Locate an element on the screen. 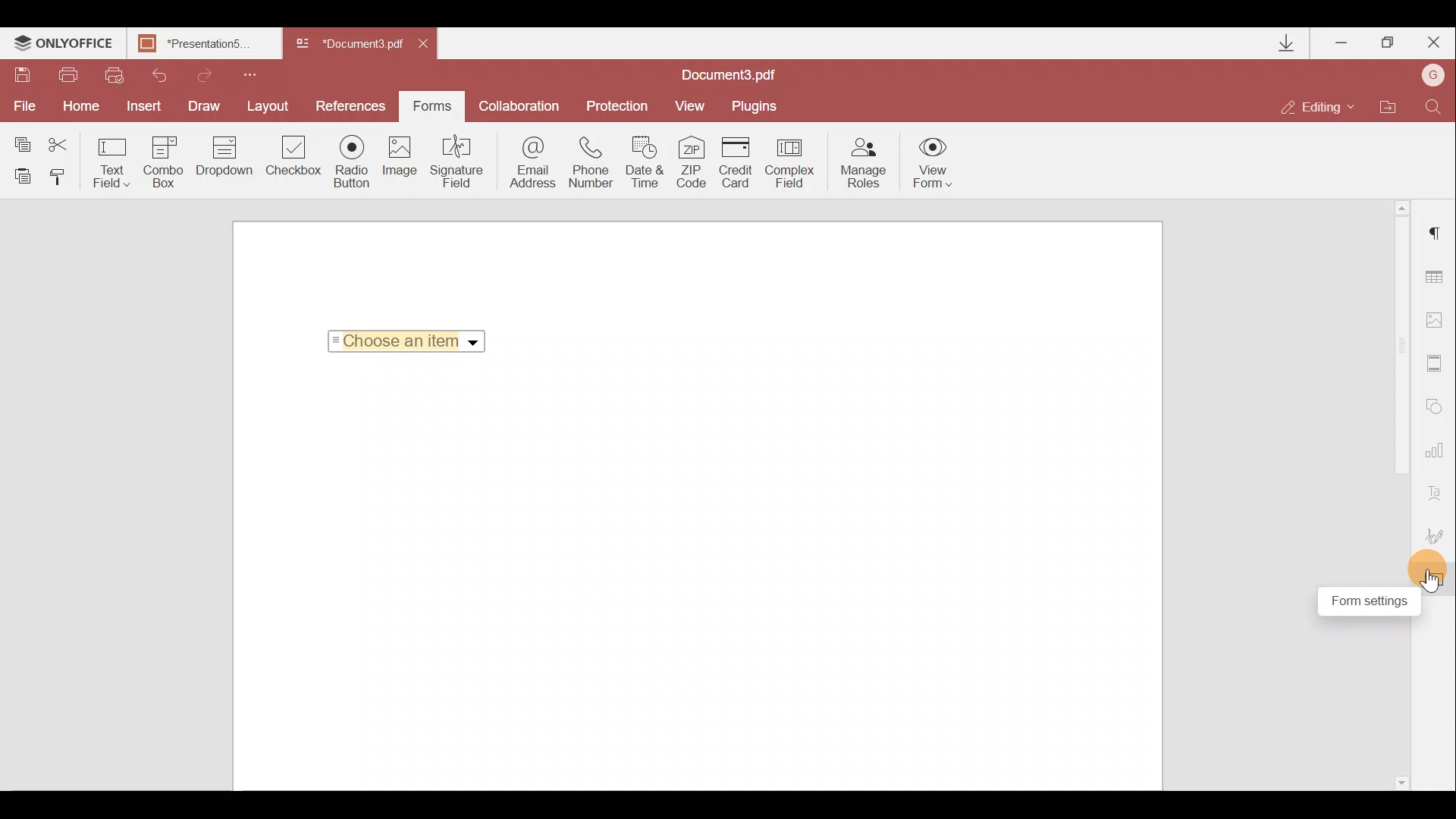 This screenshot has height=819, width=1456. Combo box is located at coordinates (164, 159).